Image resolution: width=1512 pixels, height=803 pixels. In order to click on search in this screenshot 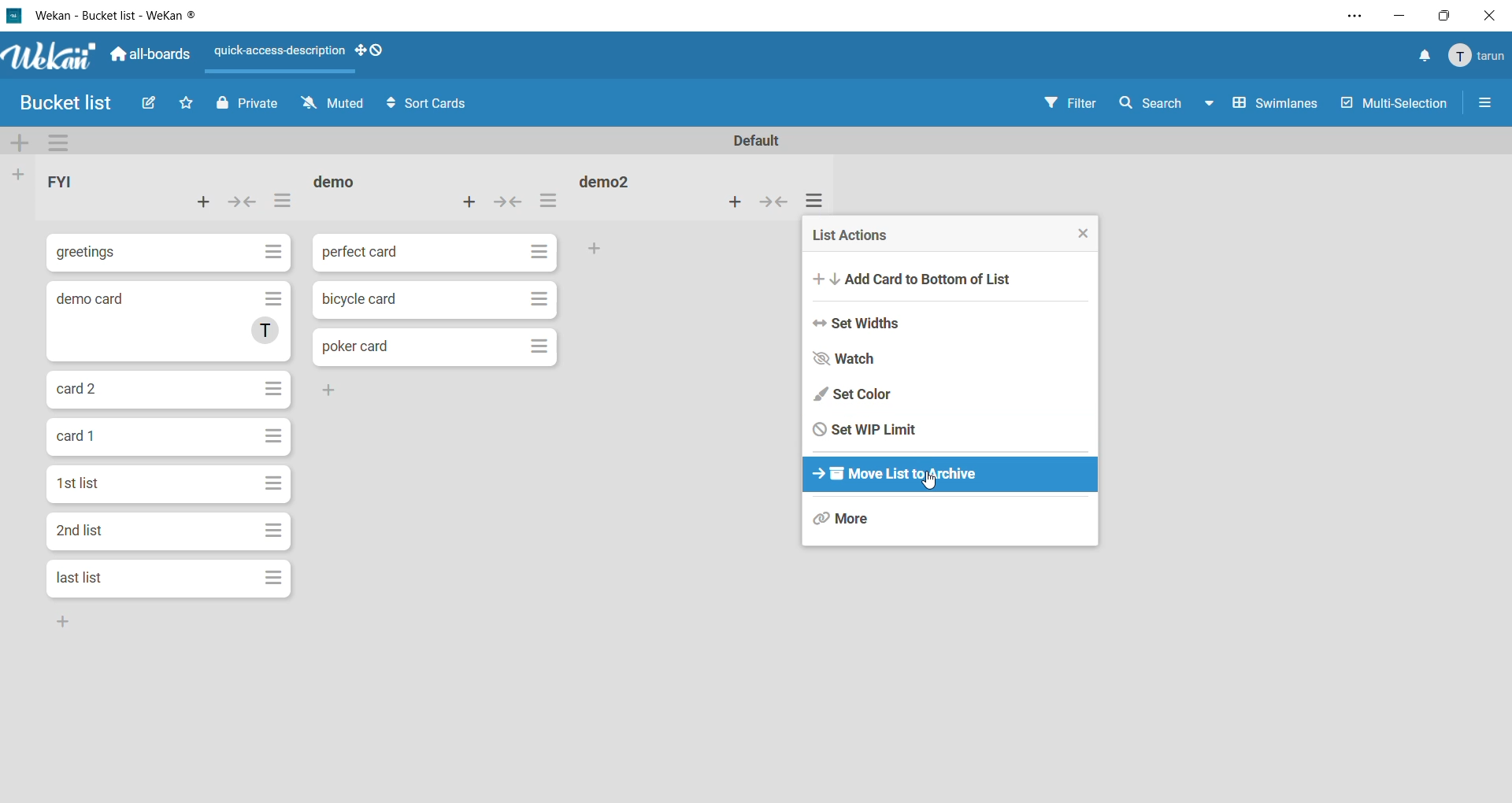, I will do `click(1168, 105)`.